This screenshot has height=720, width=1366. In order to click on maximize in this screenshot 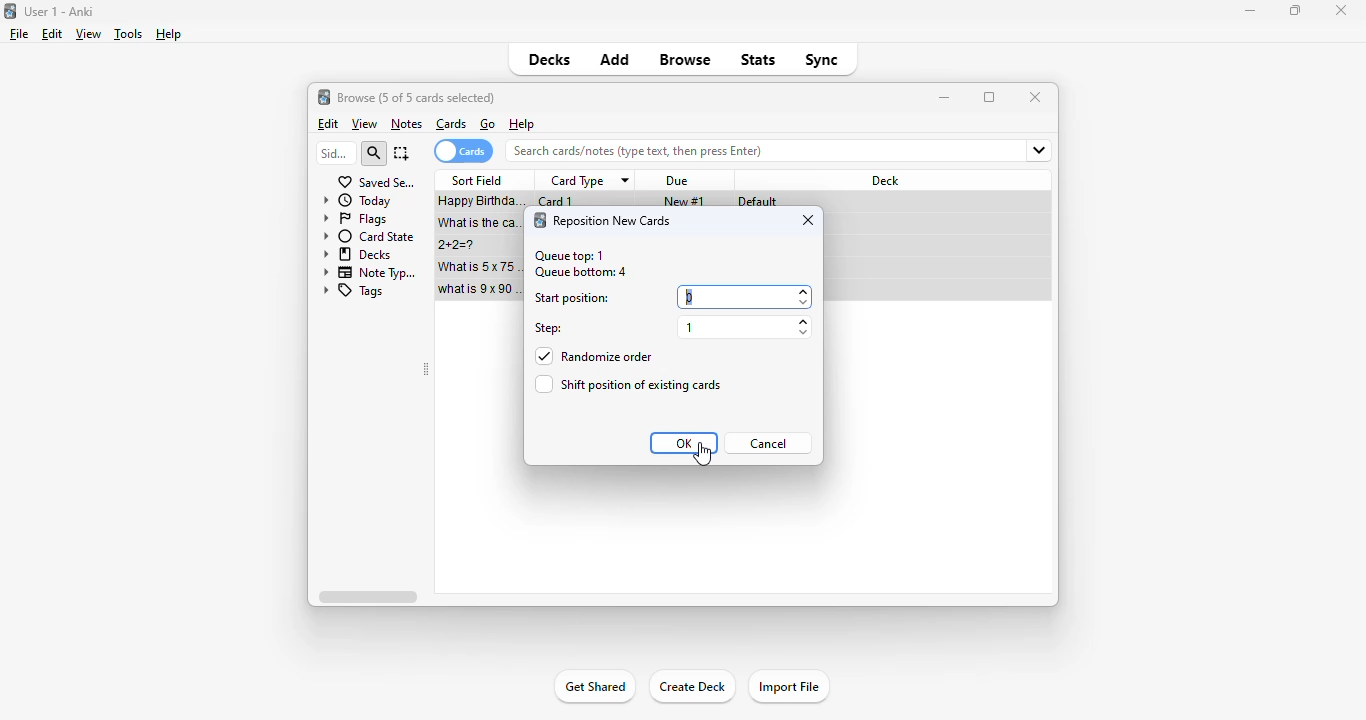, I will do `click(1294, 11)`.